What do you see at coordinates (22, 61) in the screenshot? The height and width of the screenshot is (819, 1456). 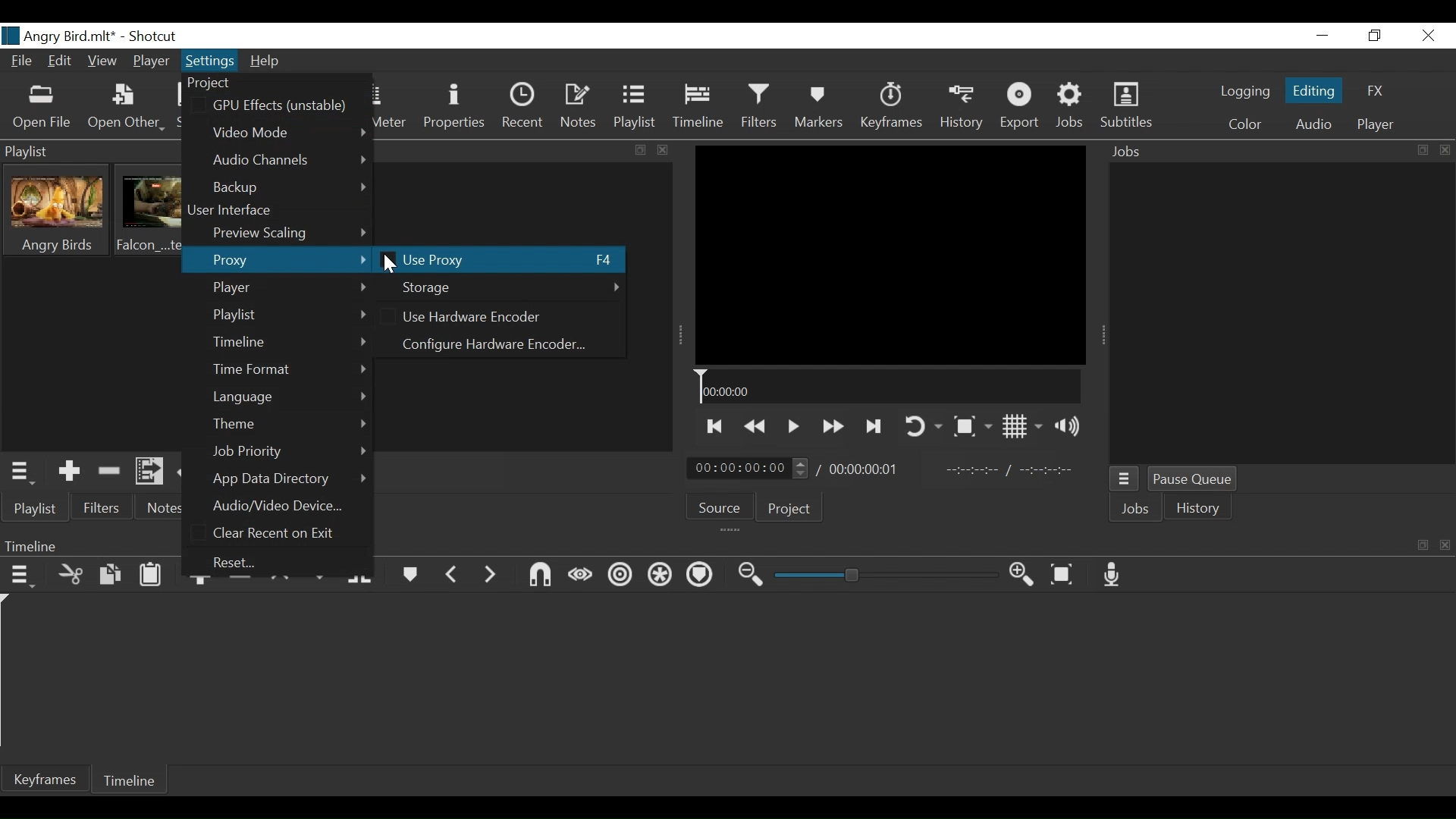 I see `File` at bounding box center [22, 61].